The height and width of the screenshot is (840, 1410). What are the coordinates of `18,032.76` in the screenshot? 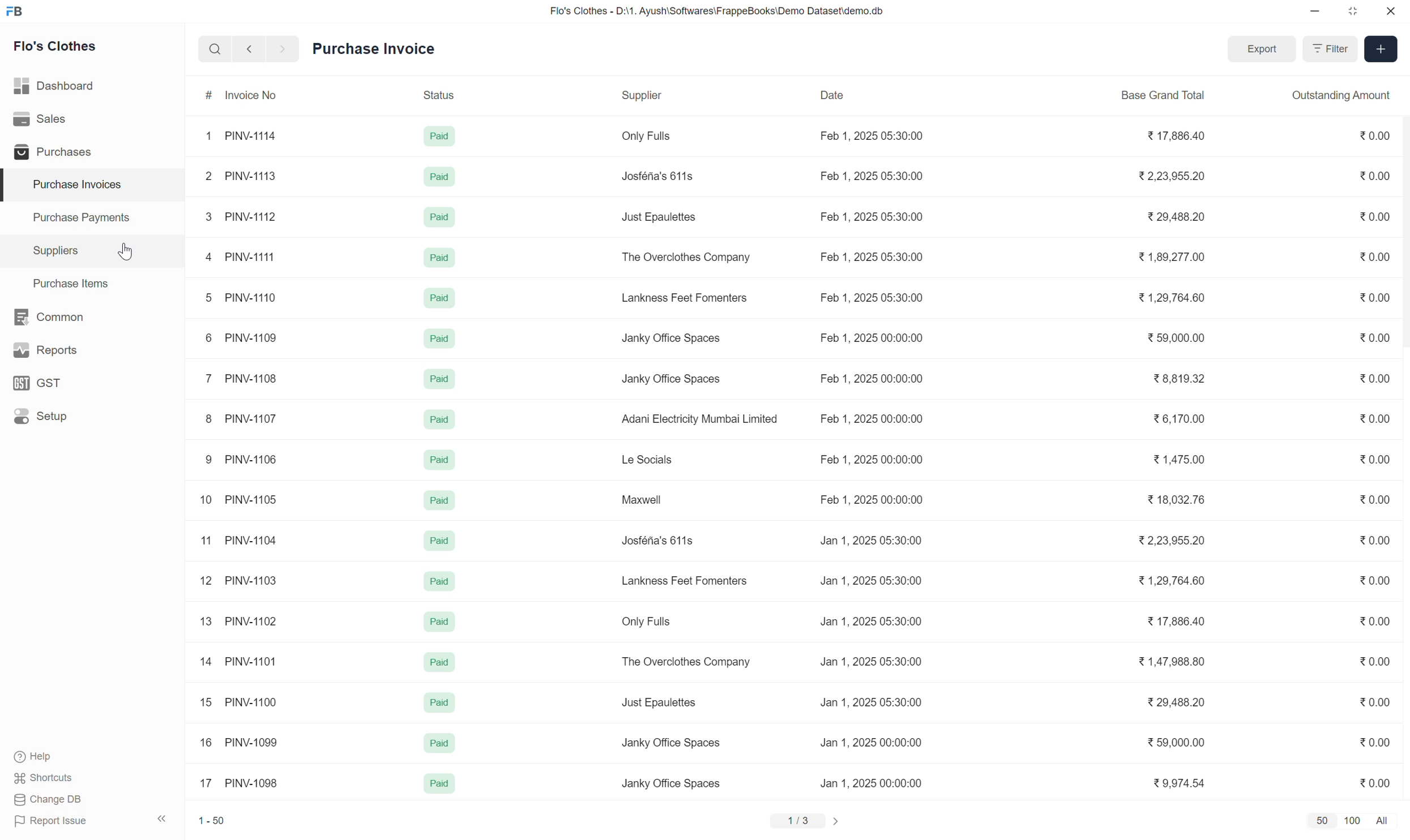 It's located at (1176, 499).